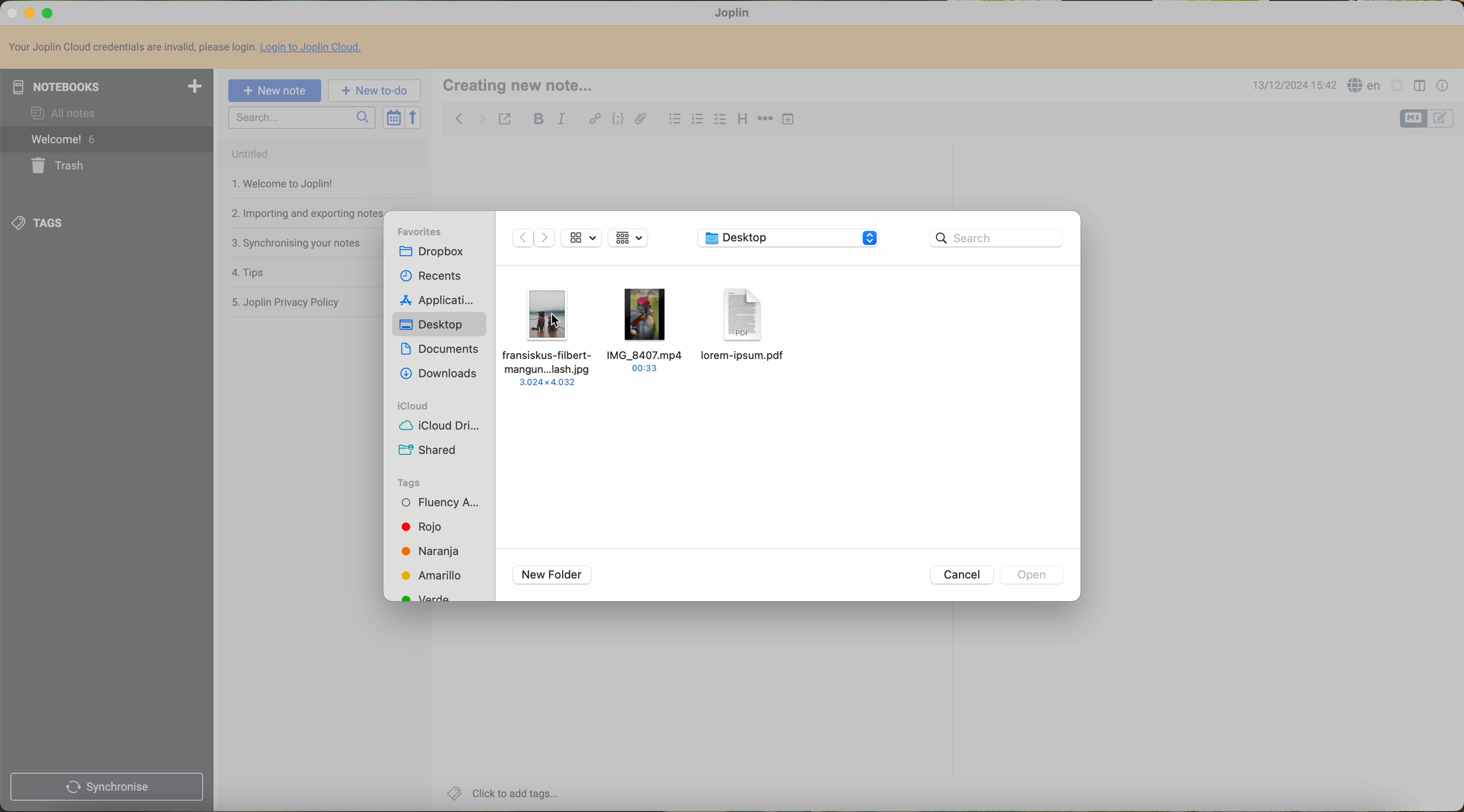  Describe the element at coordinates (997, 238) in the screenshot. I see `search bar` at that location.